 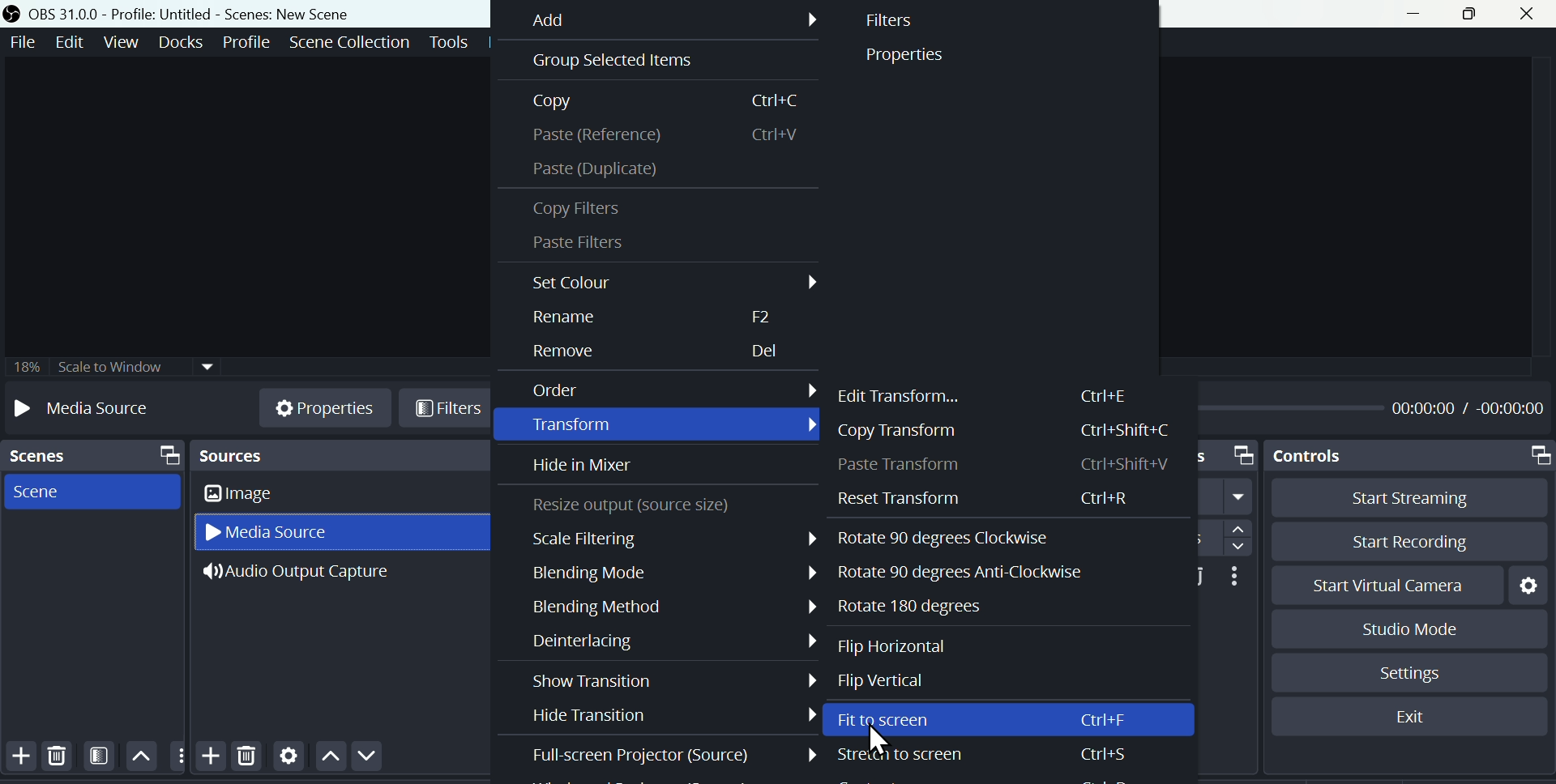 What do you see at coordinates (179, 42) in the screenshot?
I see `Docks` at bounding box center [179, 42].